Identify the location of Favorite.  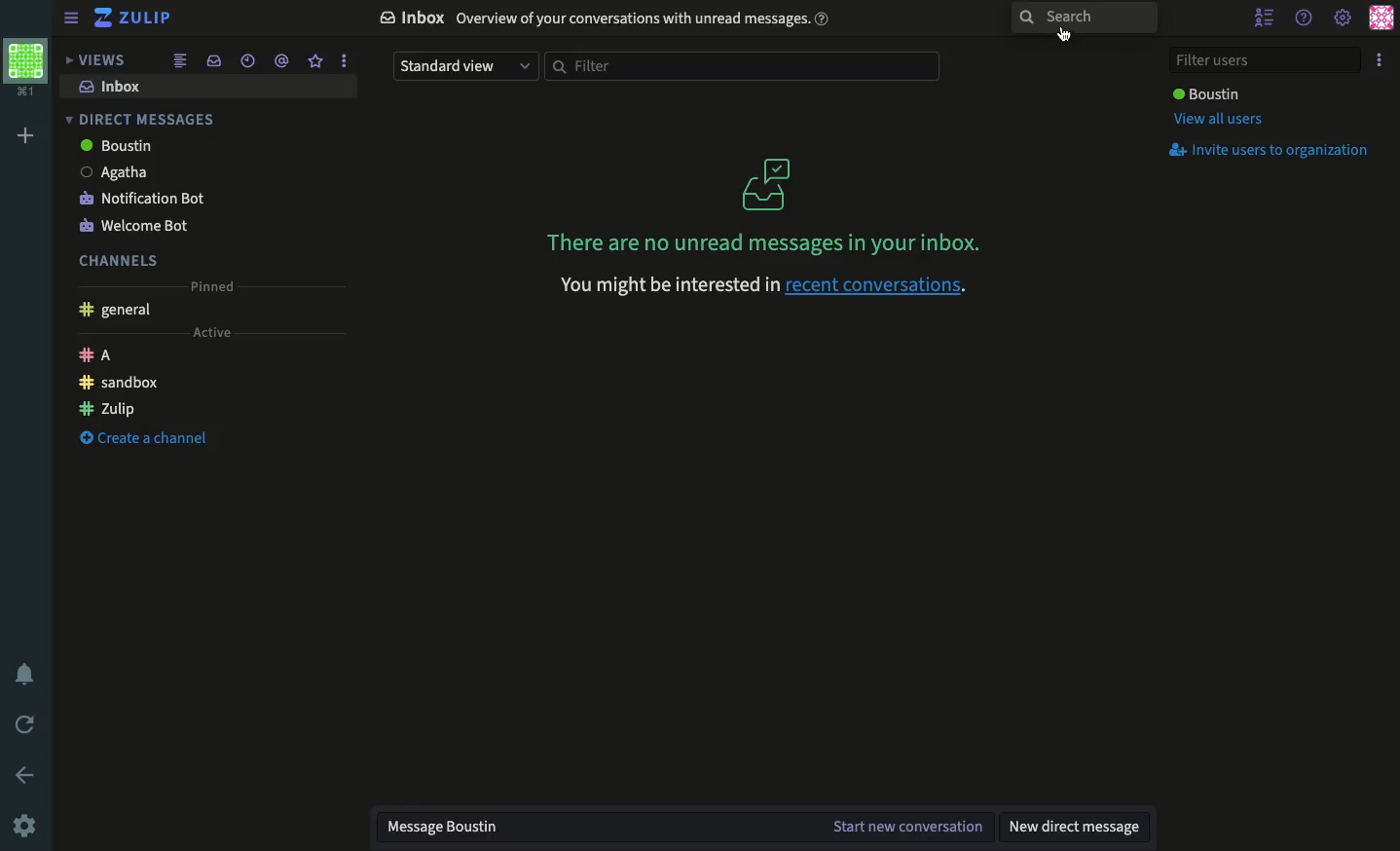
(315, 61).